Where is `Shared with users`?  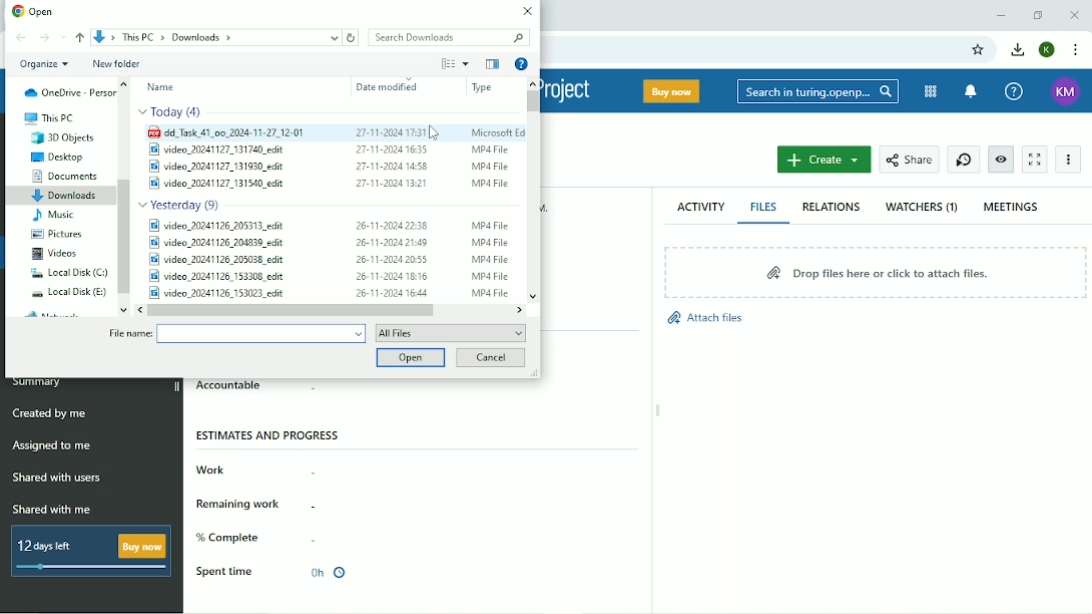 Shared with users is located at coordinates (57, 478).